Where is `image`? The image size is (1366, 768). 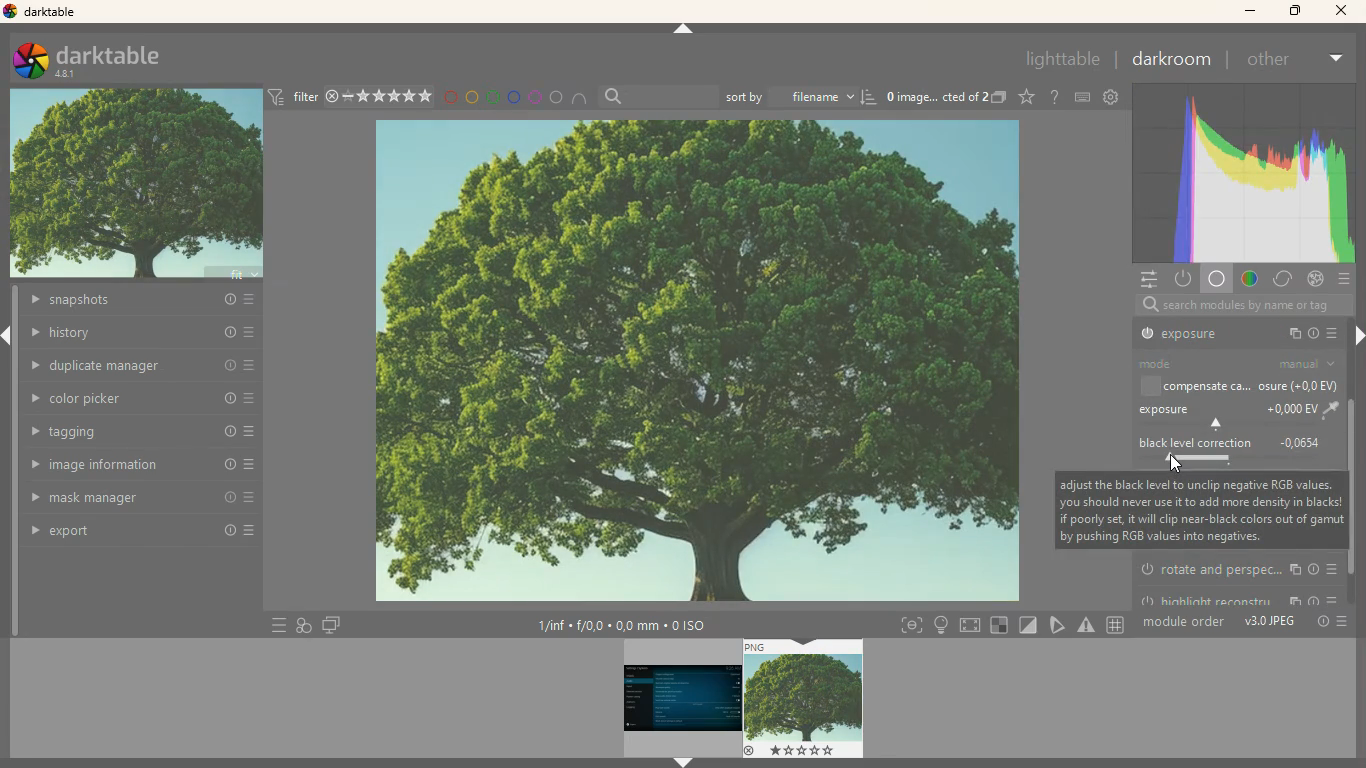 image is located at coordinates (682, 698).